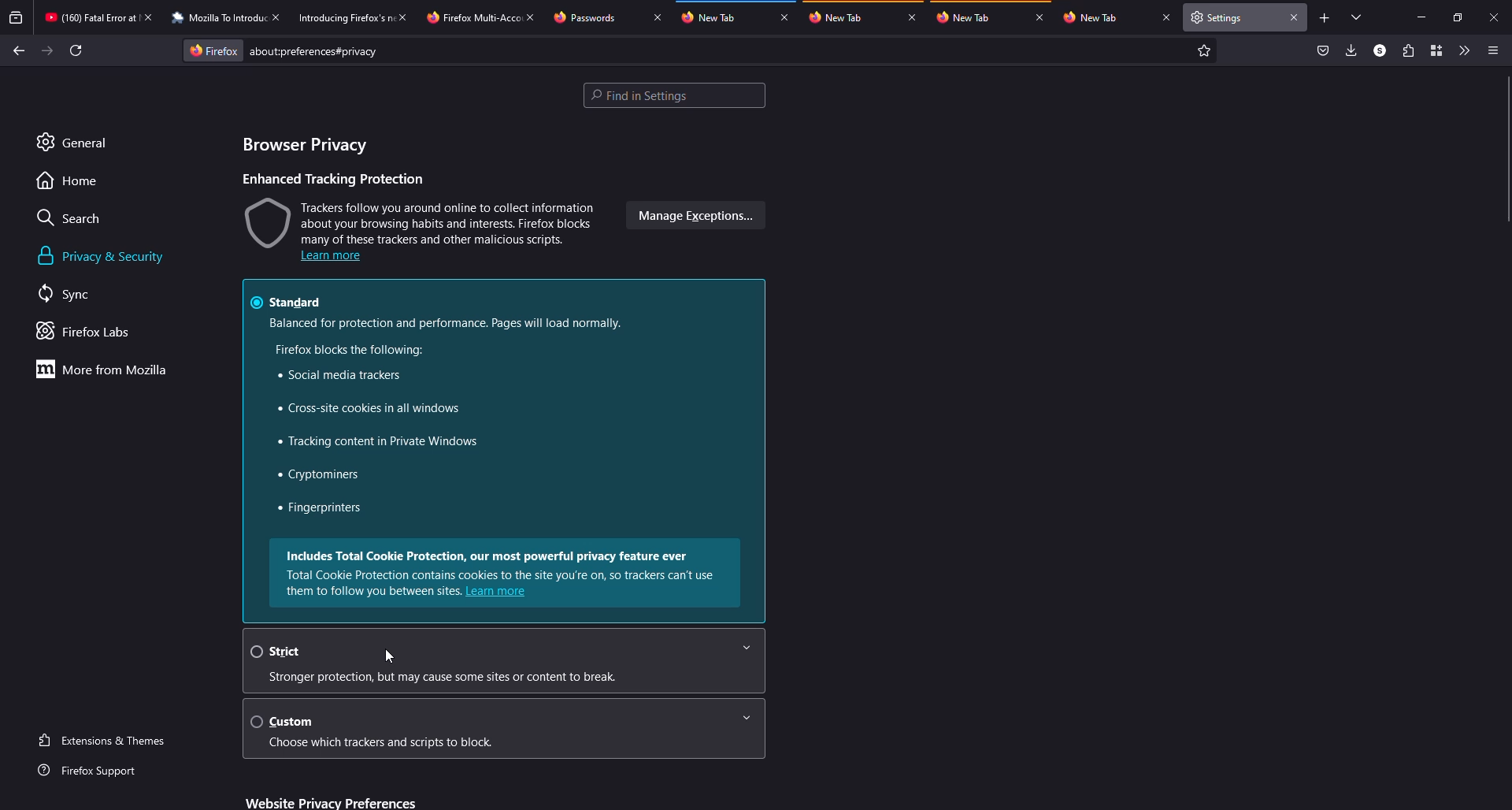  I want to click on vertical scroll bar, so click(1502, 147).